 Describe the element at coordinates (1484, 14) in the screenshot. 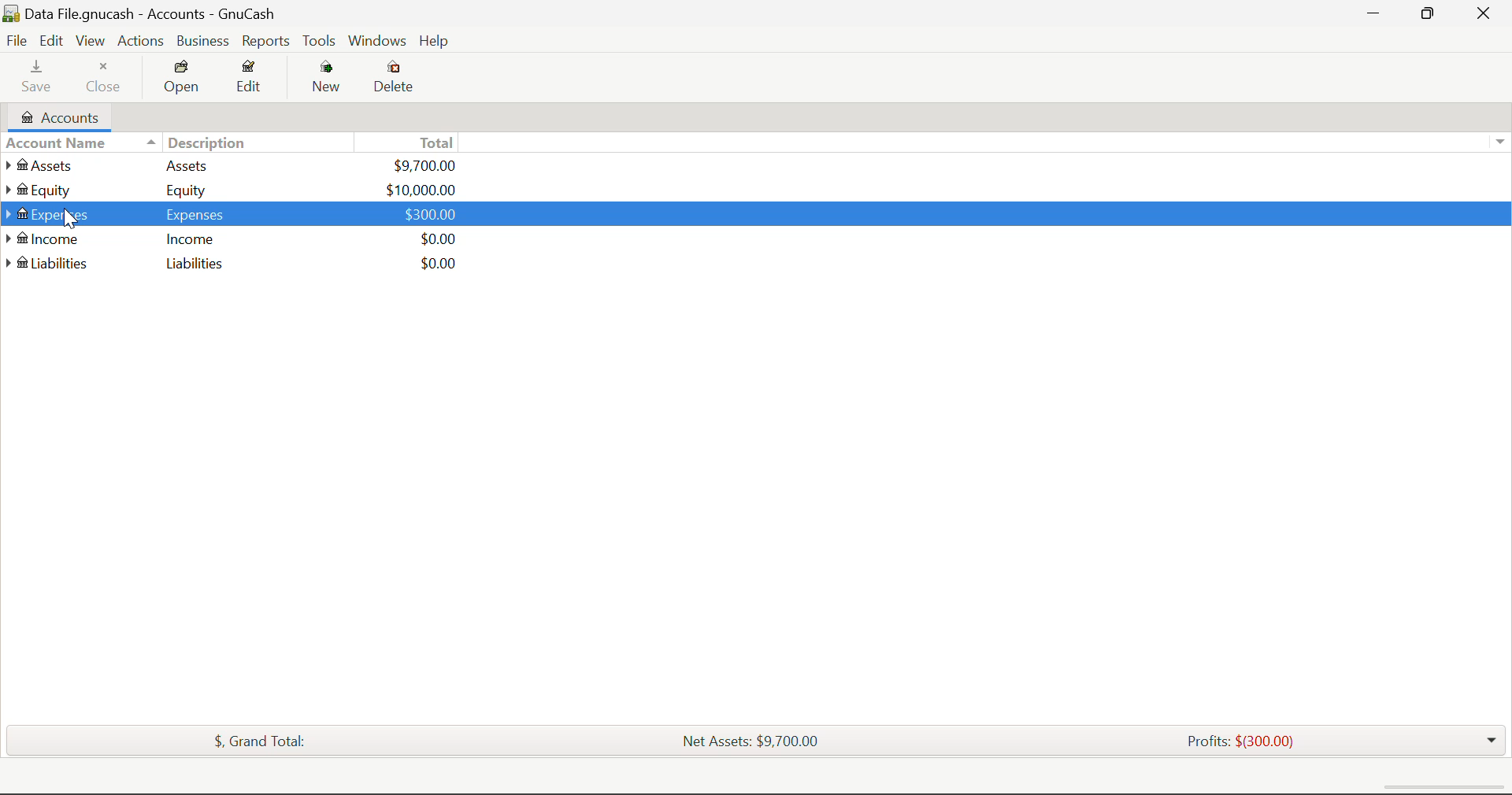

I see `Close Window` at that location.